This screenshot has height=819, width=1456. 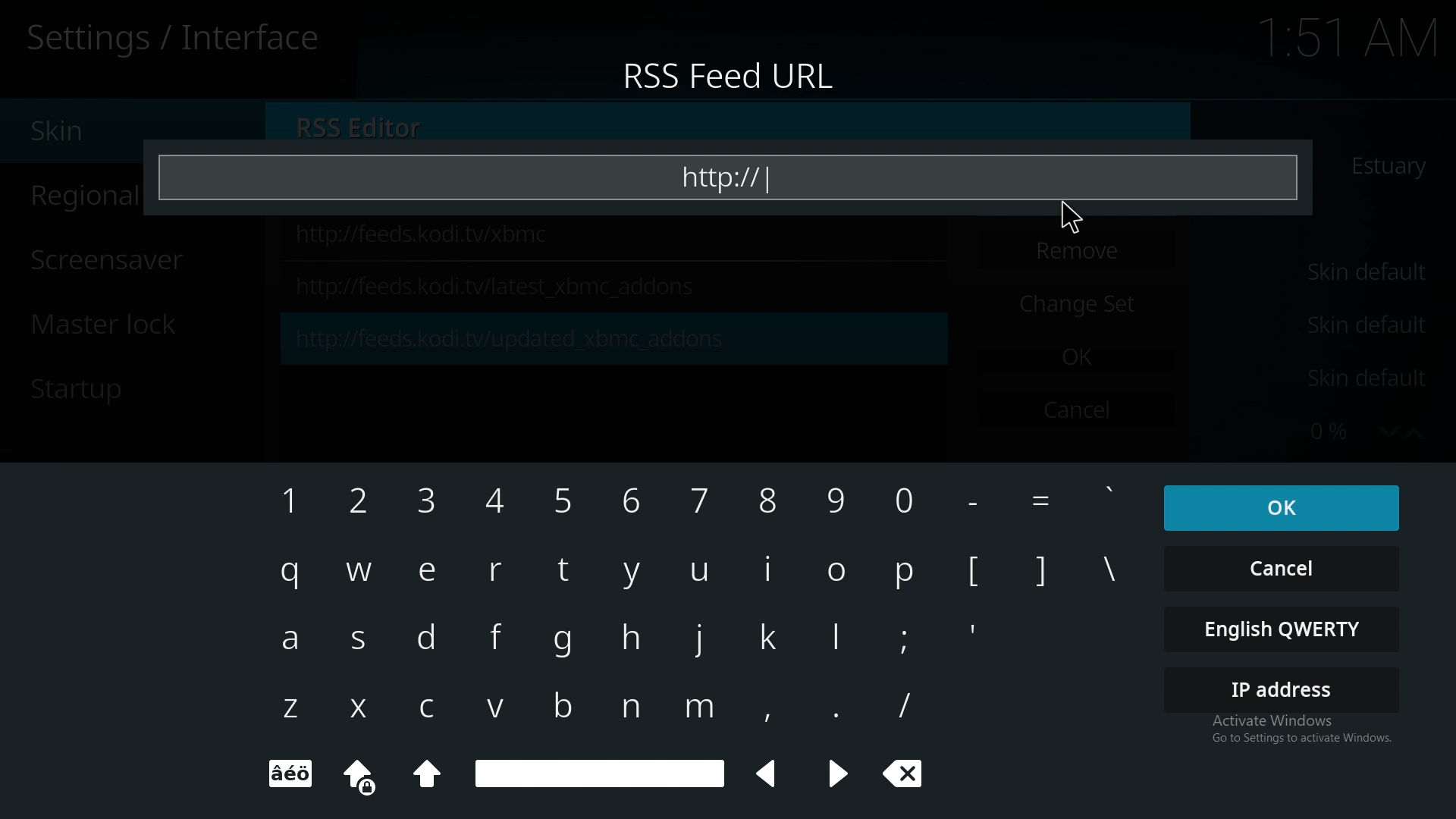 I want to click on keyboard Input, so click(x=635, y=500).